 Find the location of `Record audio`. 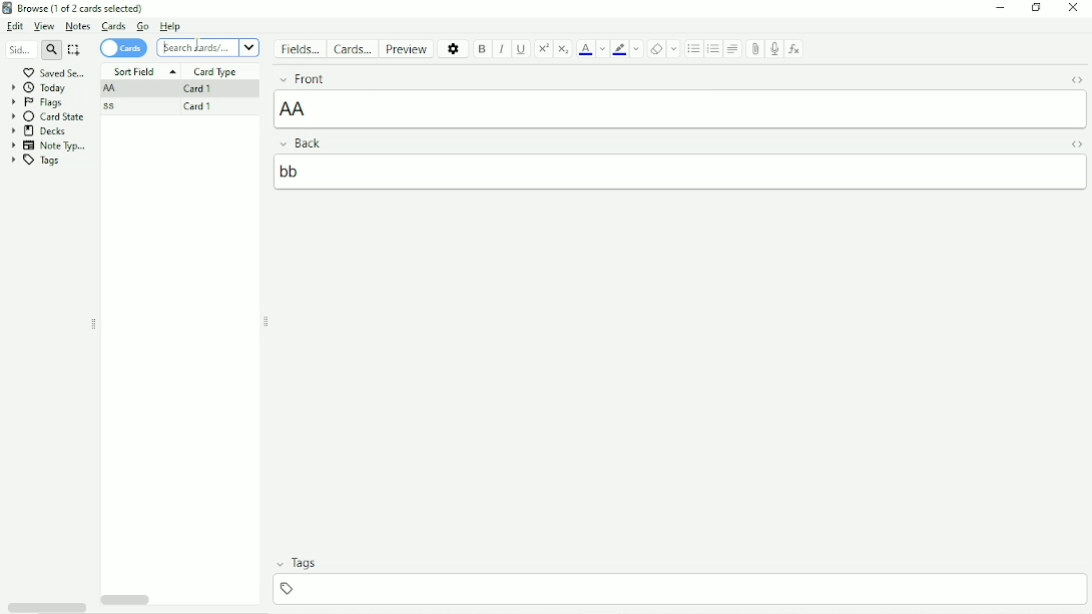

Record audio is located at coordinates (775, 49).